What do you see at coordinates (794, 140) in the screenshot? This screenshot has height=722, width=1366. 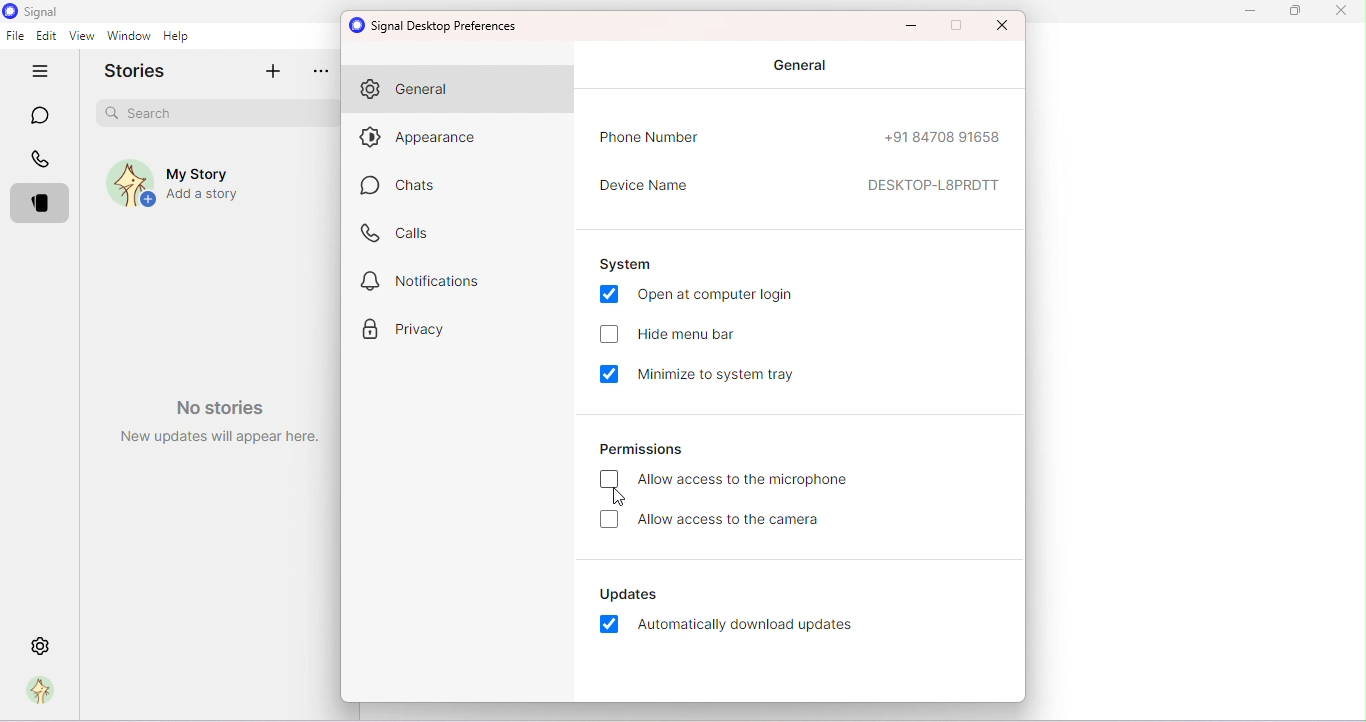 I see `Phone number` at bounding box center [794, 140].